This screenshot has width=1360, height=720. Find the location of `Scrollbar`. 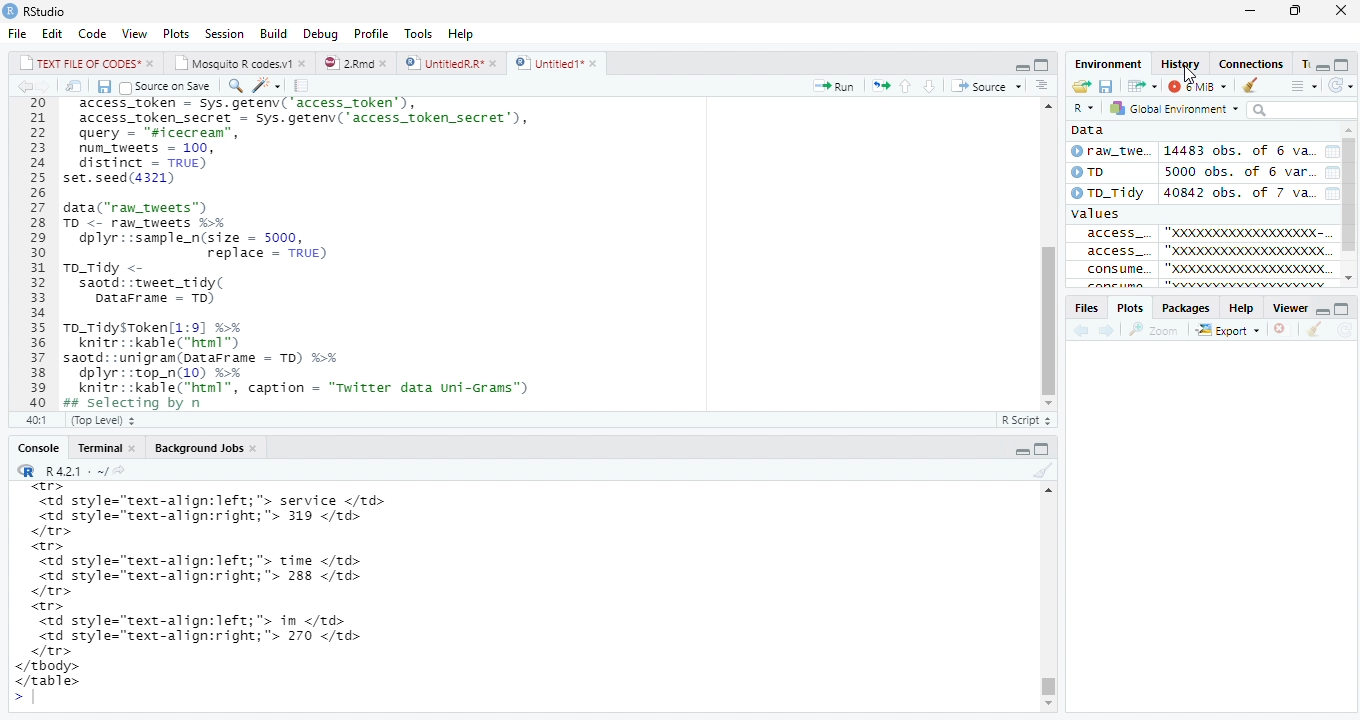

Scrollbar is located at coordinates (1050, 603).